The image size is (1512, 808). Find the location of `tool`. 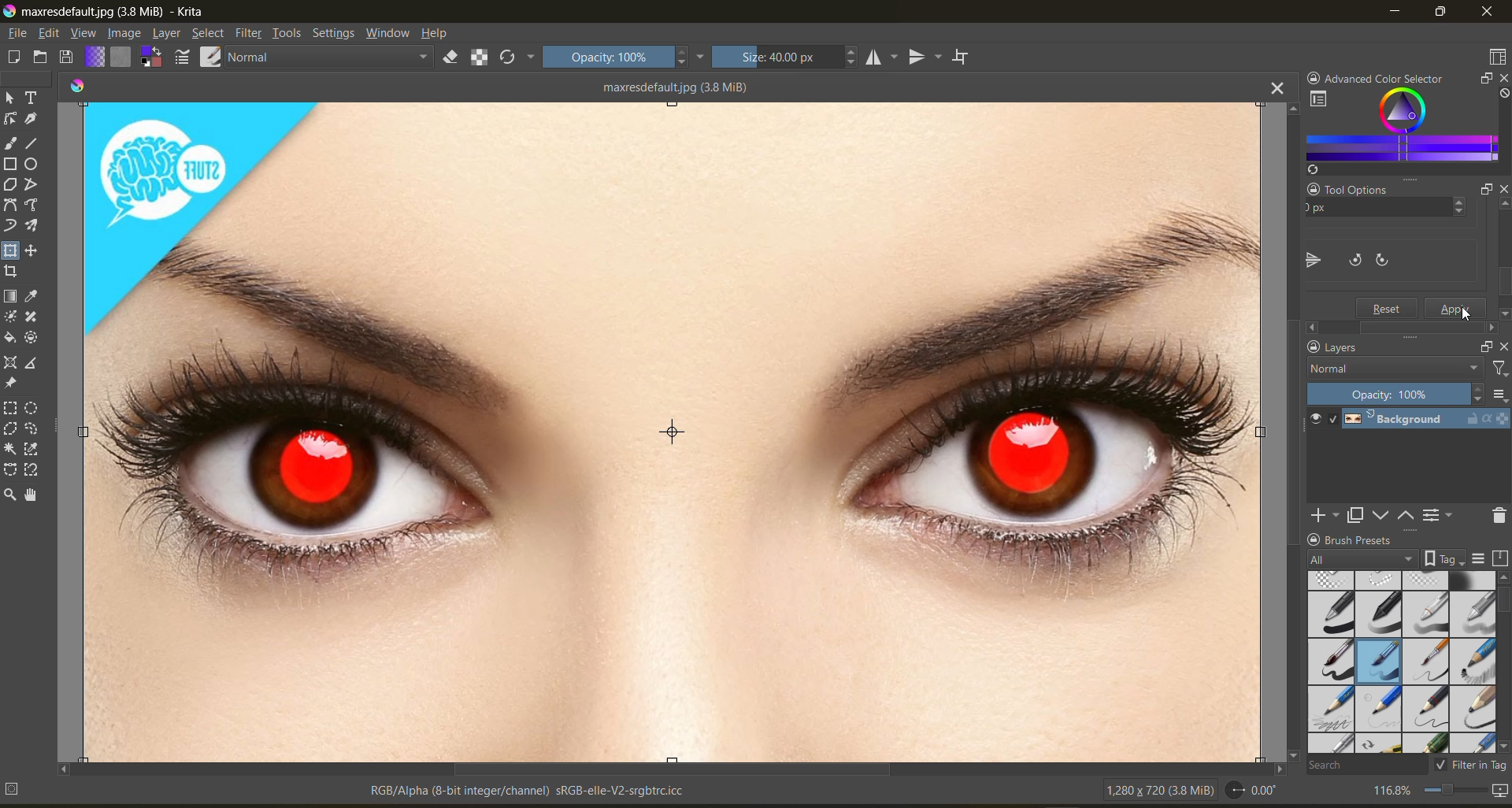

tool is located at coordinates (33, 297).